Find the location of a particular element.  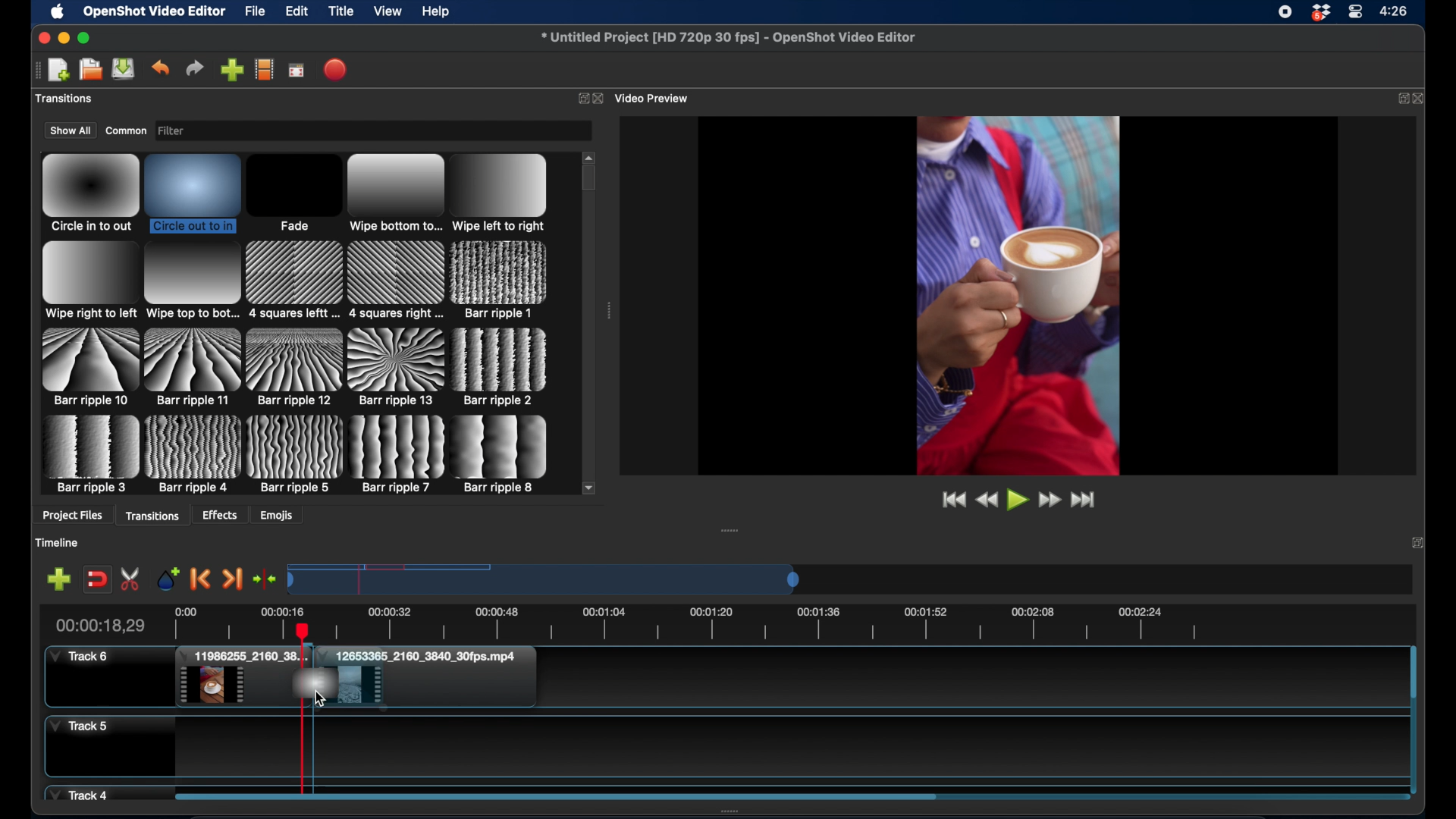

expand is located at coordinates (581, 98).